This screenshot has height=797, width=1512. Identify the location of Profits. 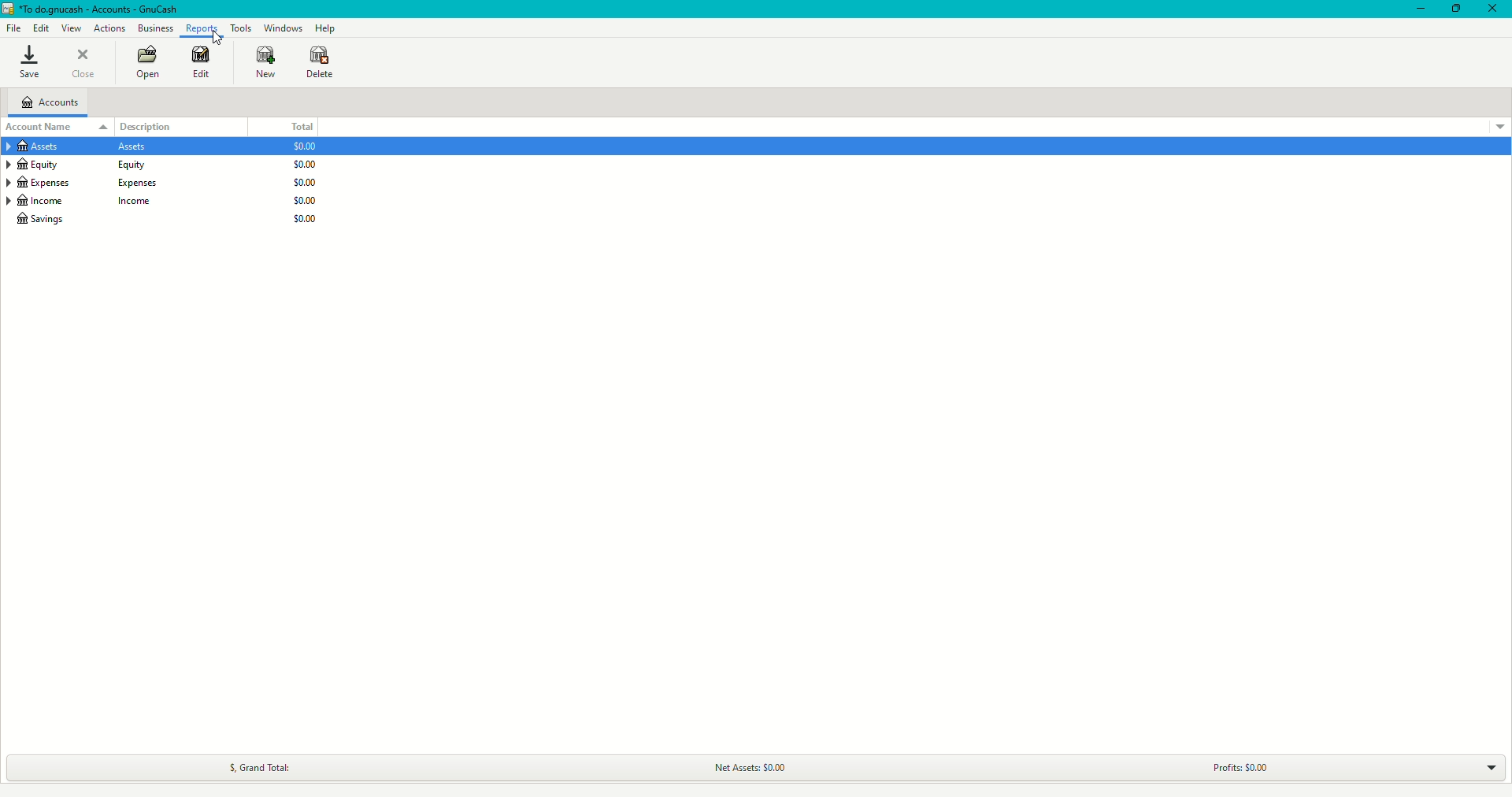
(1230, 766).